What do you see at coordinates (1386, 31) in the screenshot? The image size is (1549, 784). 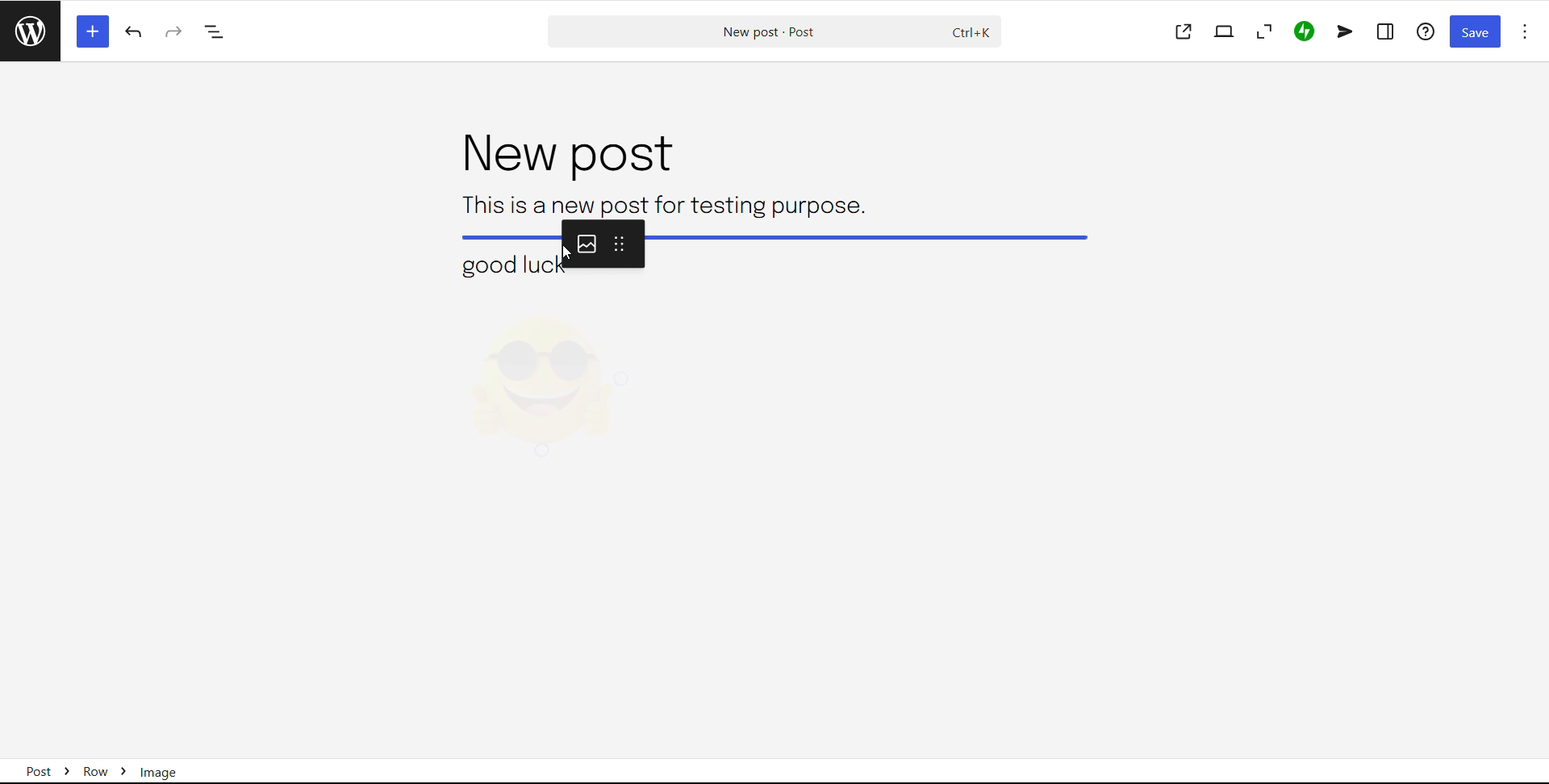 I see `settings` at bounding box center [1386, 31].